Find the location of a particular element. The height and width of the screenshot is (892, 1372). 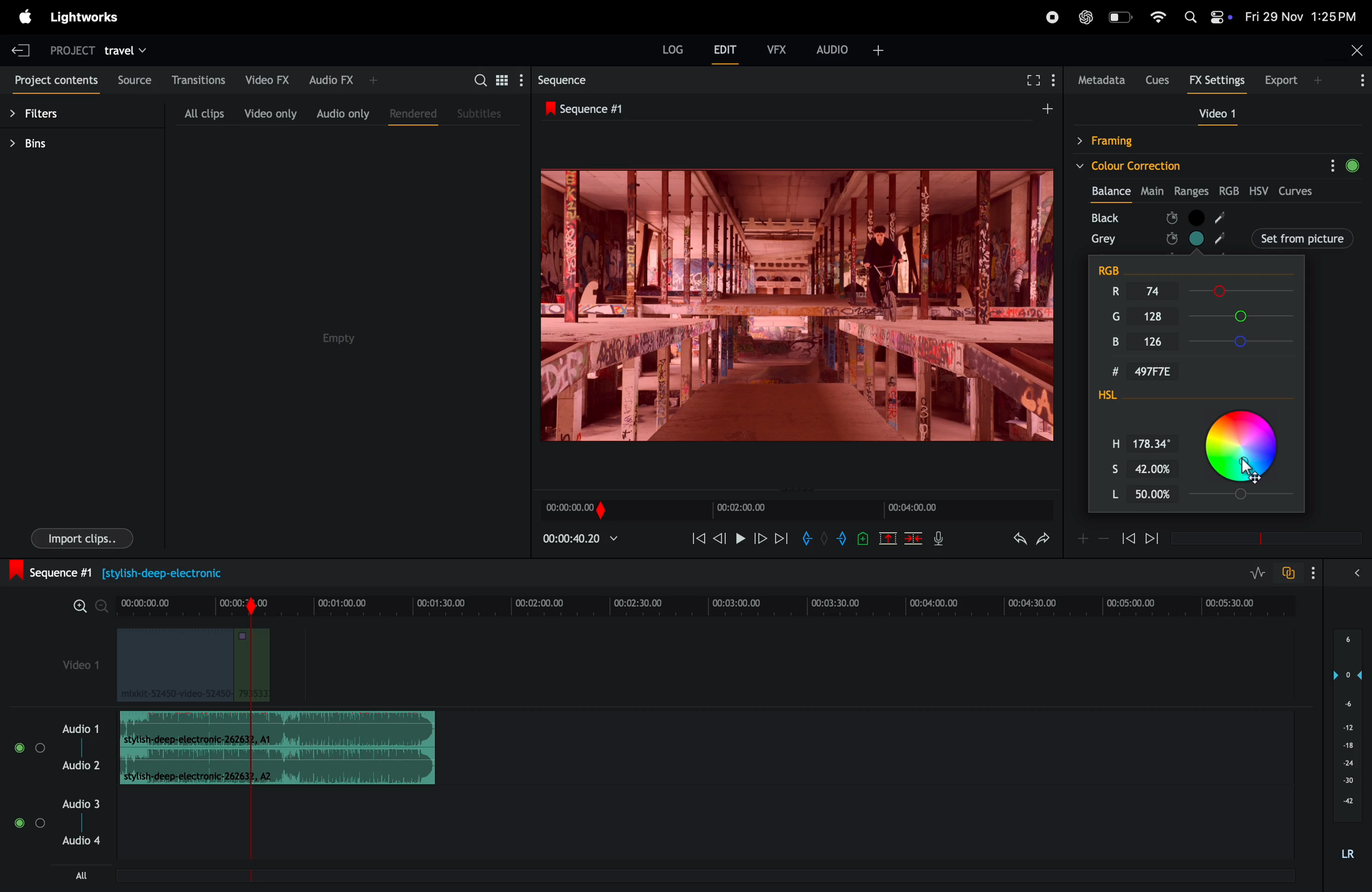

subtitles is located at coordinates (481, 112).